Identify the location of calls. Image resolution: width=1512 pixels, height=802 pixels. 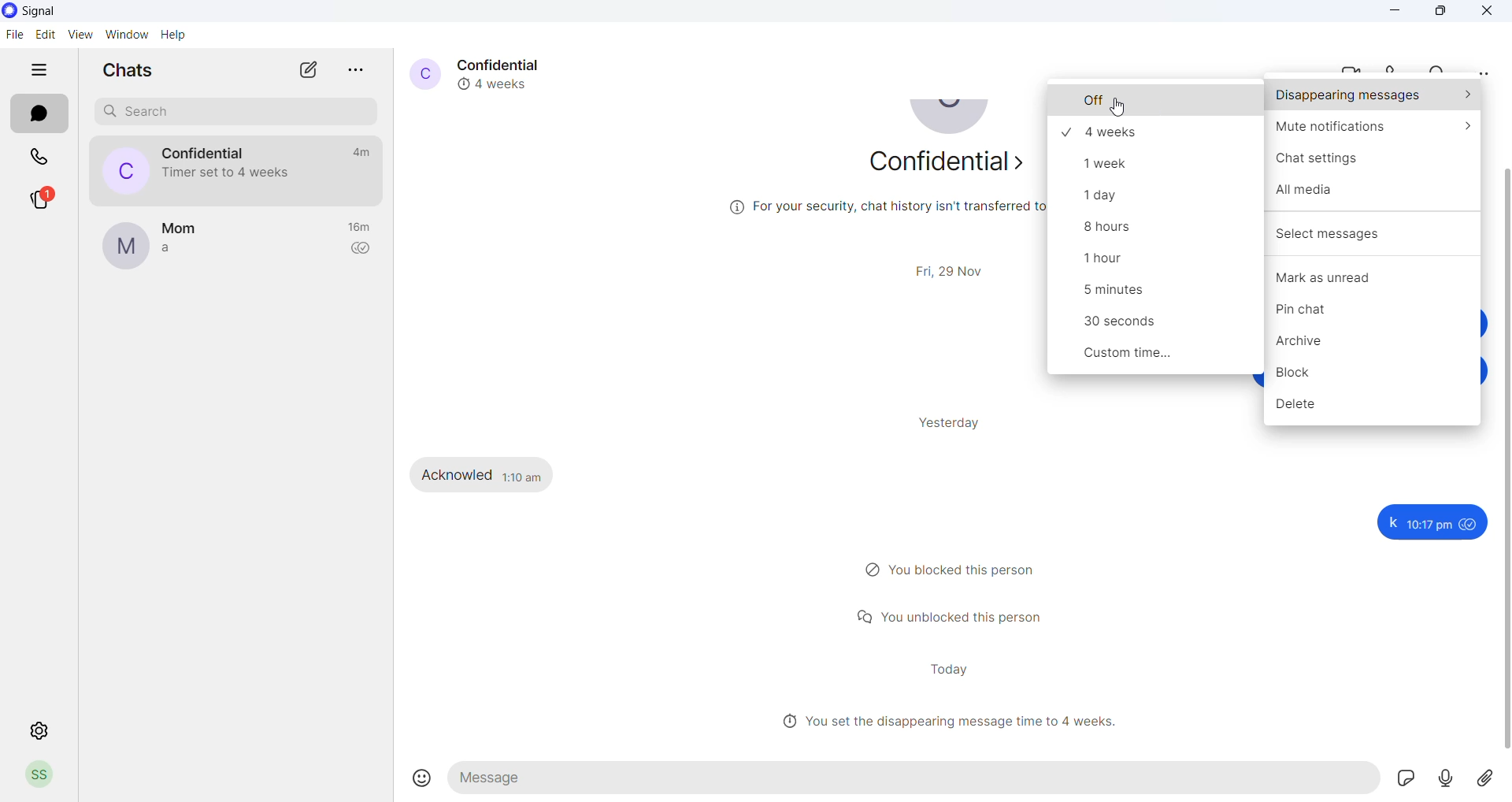
(1400, 66).